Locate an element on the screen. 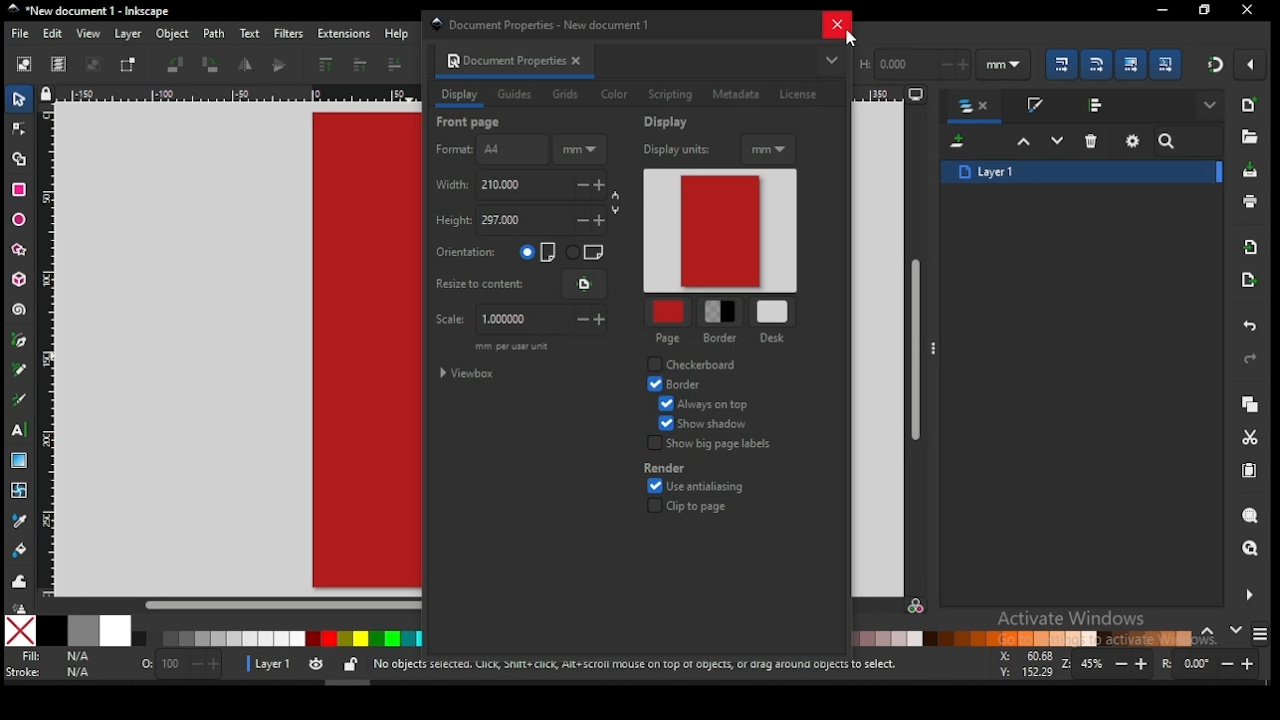 Image resolution: width=1280 pixels, height=720 pixels. next is located at coordinates (1236, 630).